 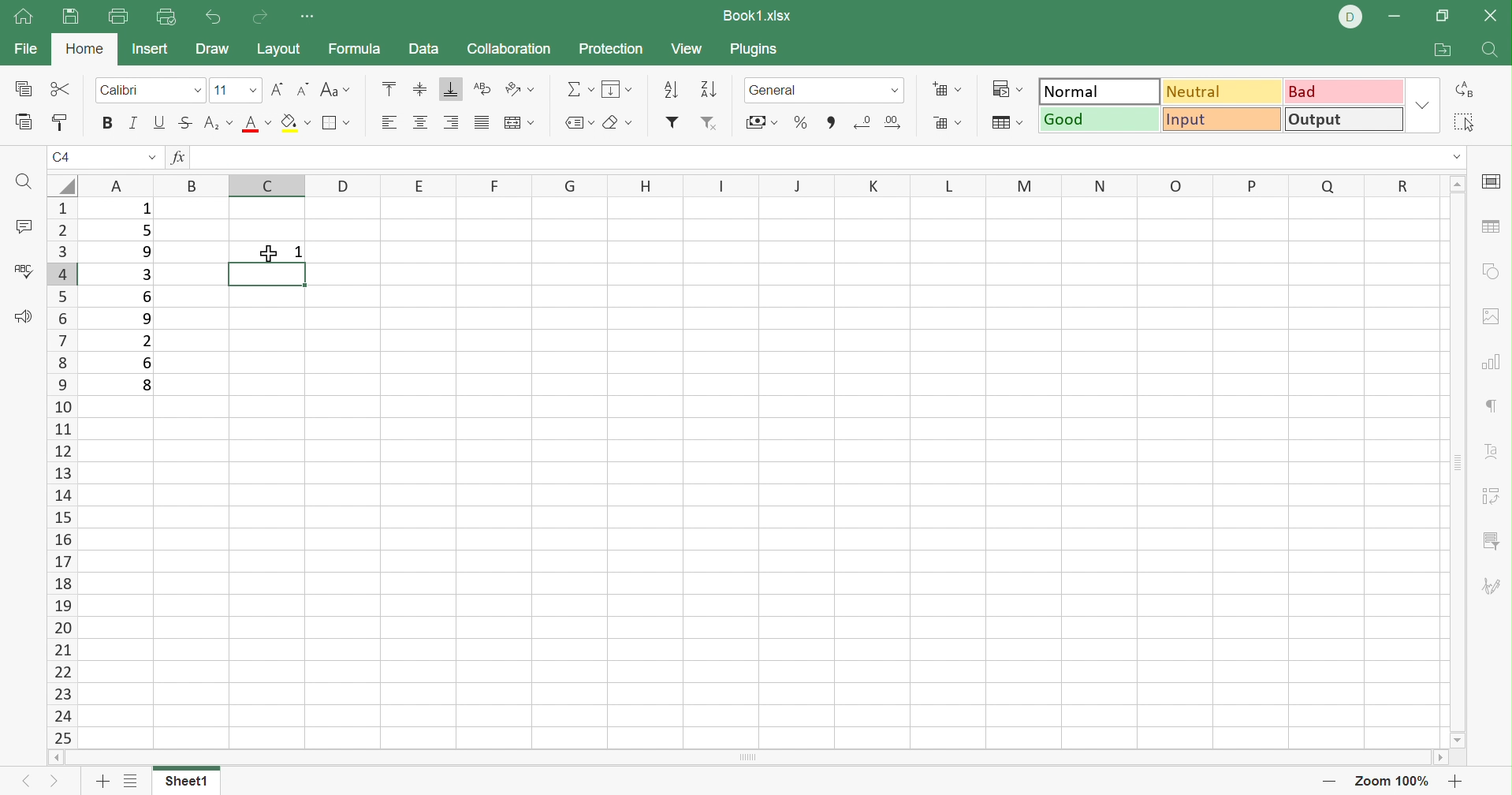 What do you see at coordinates (1467, 123) in the screenshot?
I see `Select all` at bounding box center [1467, 123].